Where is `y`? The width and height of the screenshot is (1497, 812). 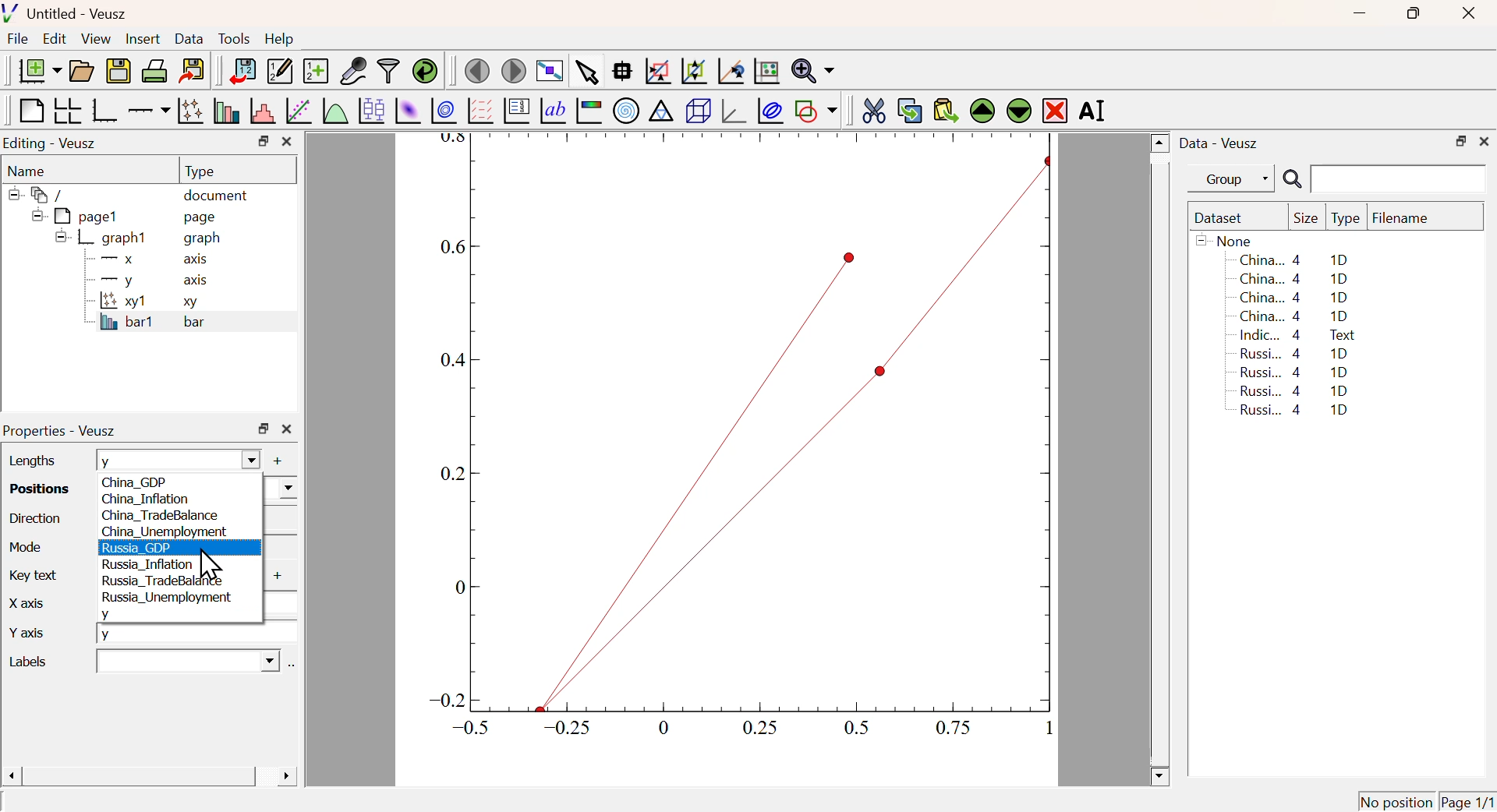 y is located at coordinates (197, 634).